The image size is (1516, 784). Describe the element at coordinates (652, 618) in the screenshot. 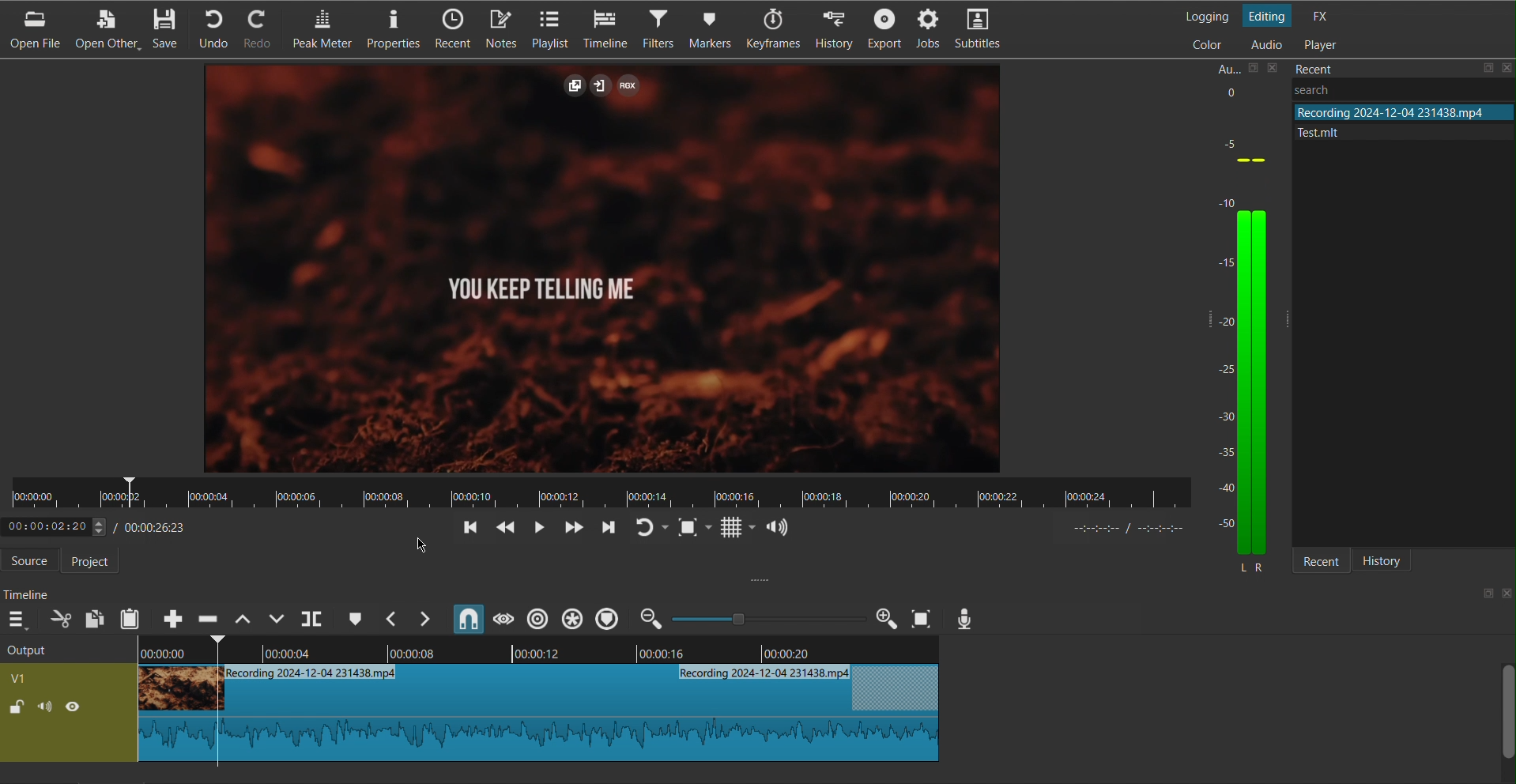

I see `zoom out` at that location.